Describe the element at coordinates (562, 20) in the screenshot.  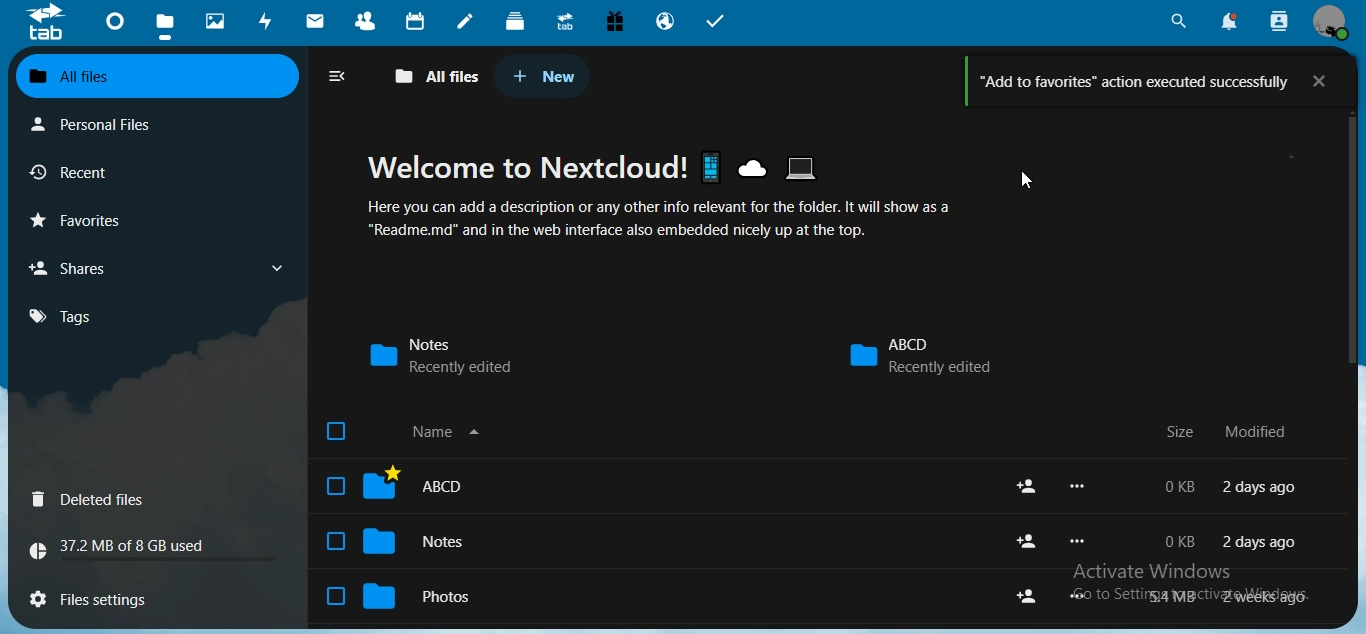
I see `upgrade trial` at that location.